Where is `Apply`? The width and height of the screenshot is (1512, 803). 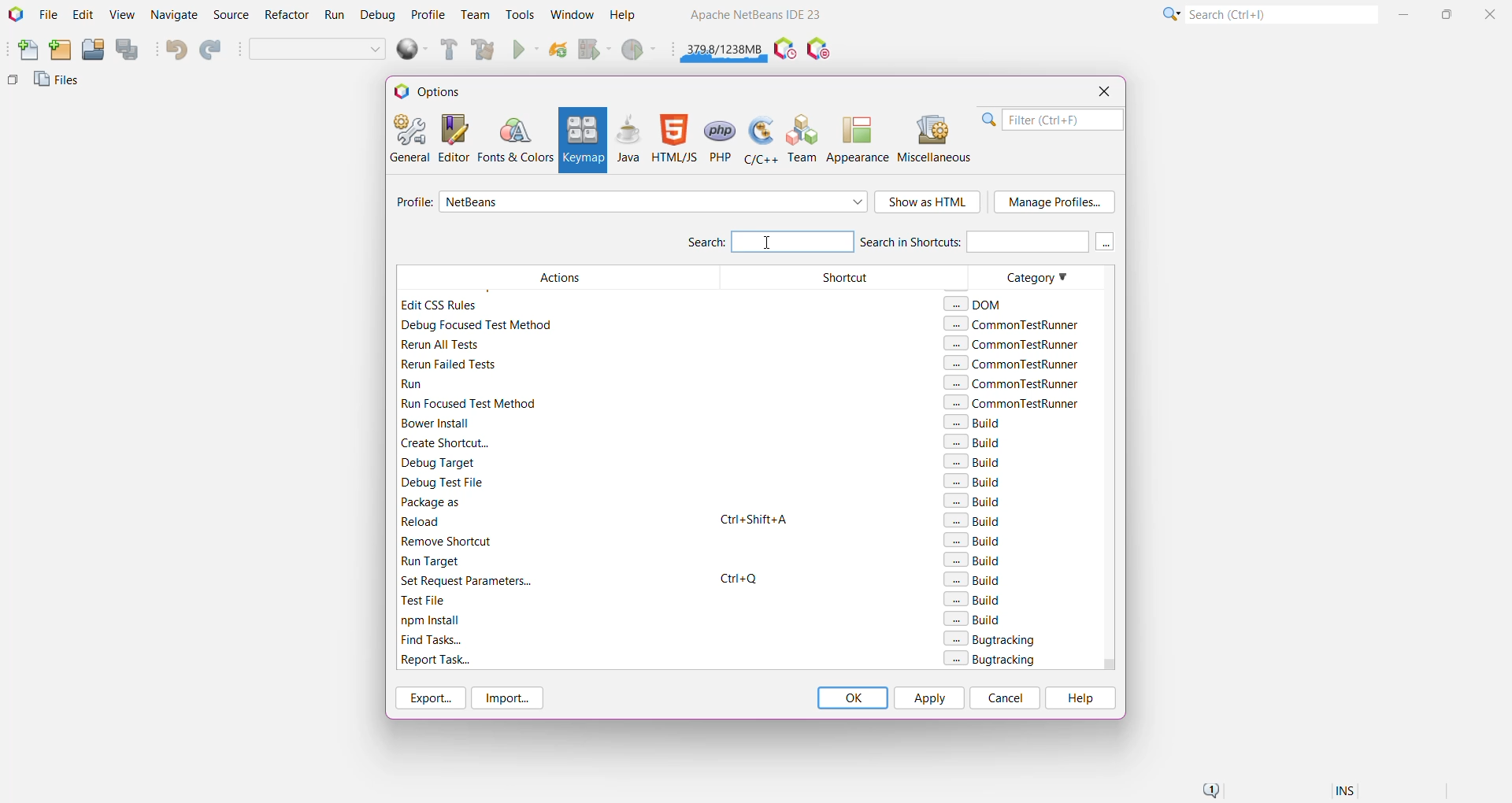
Apply is located at coordinates (928, 698).